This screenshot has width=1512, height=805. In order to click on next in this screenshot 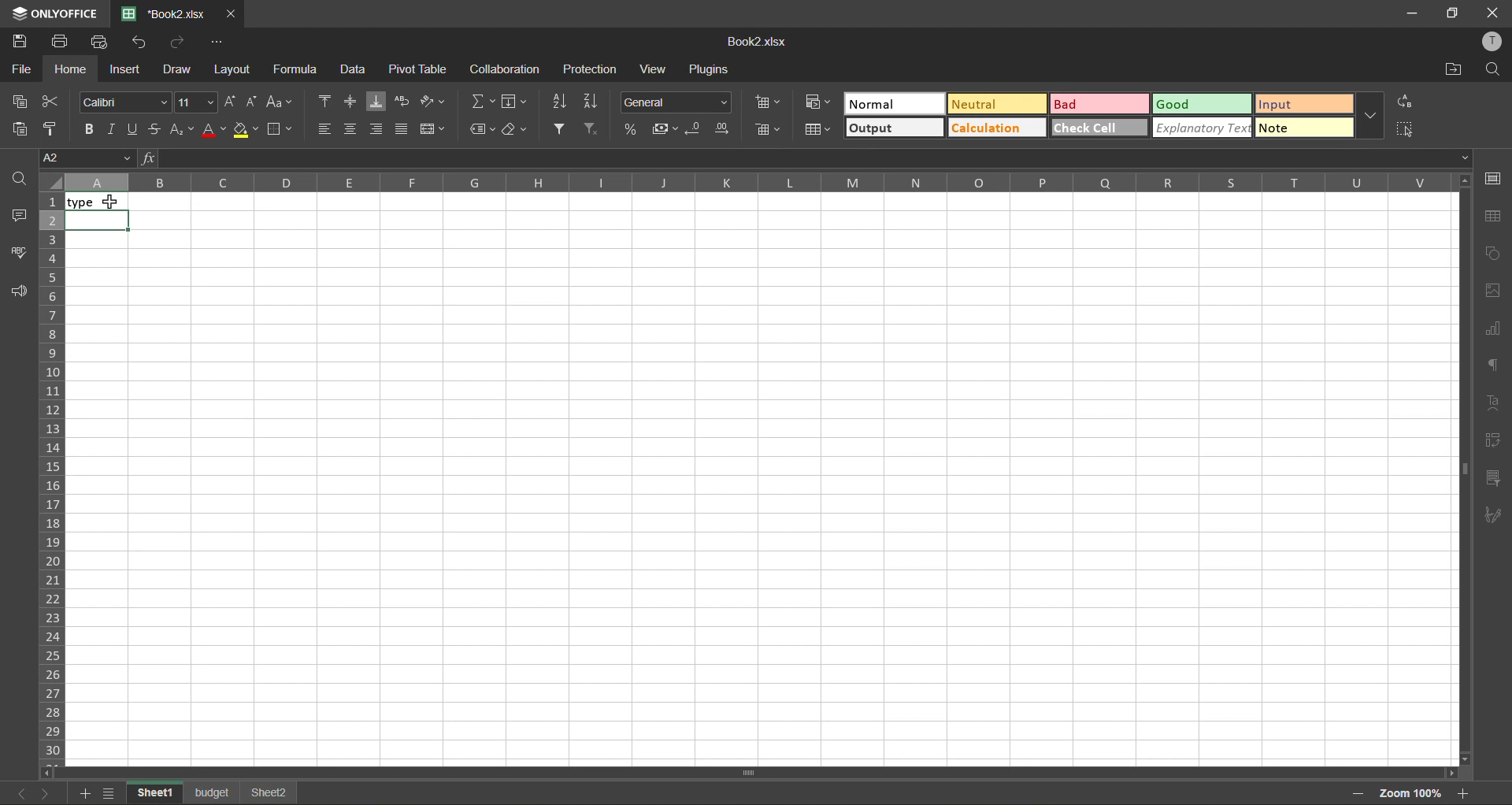, I will do `click(43, 793)`.